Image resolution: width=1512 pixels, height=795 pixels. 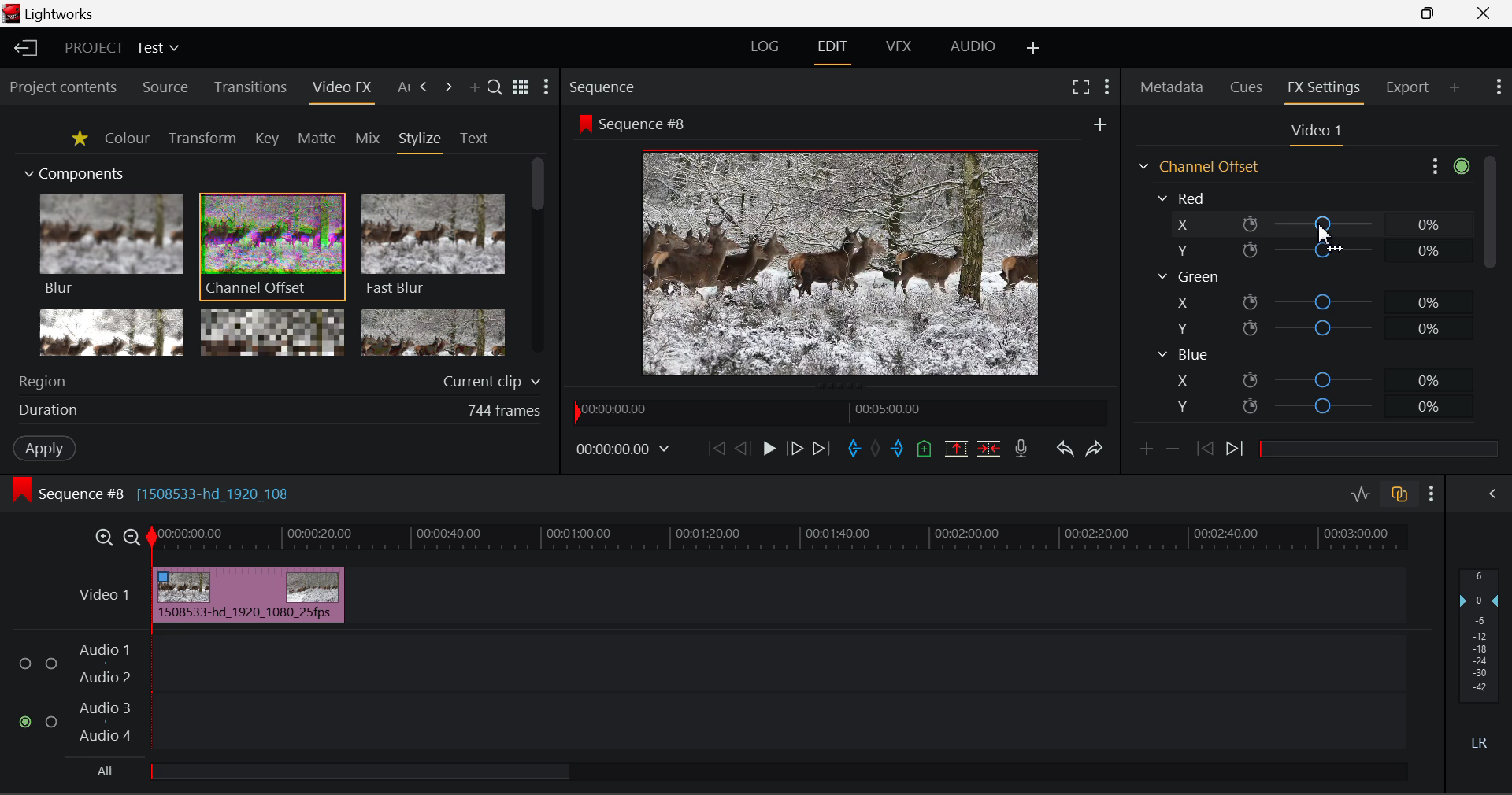 What do you see at coordinates (1145, 453) in the screenshot?
I see `Add keyframe` at bounding box center [1145, 453].